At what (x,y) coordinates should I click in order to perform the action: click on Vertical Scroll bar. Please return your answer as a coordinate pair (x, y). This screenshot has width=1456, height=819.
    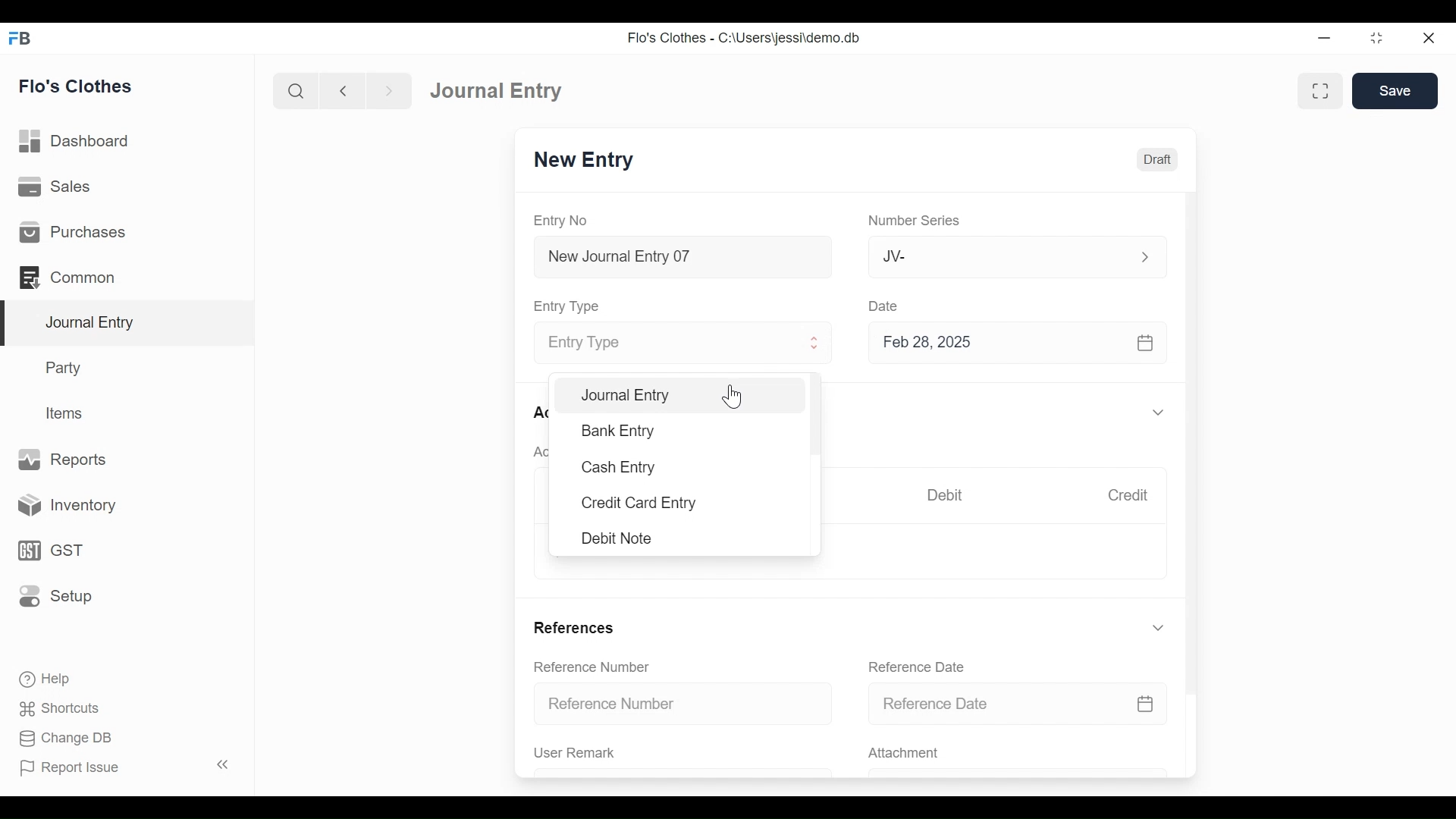
    Looking at the image, I should click on (1193, 428).